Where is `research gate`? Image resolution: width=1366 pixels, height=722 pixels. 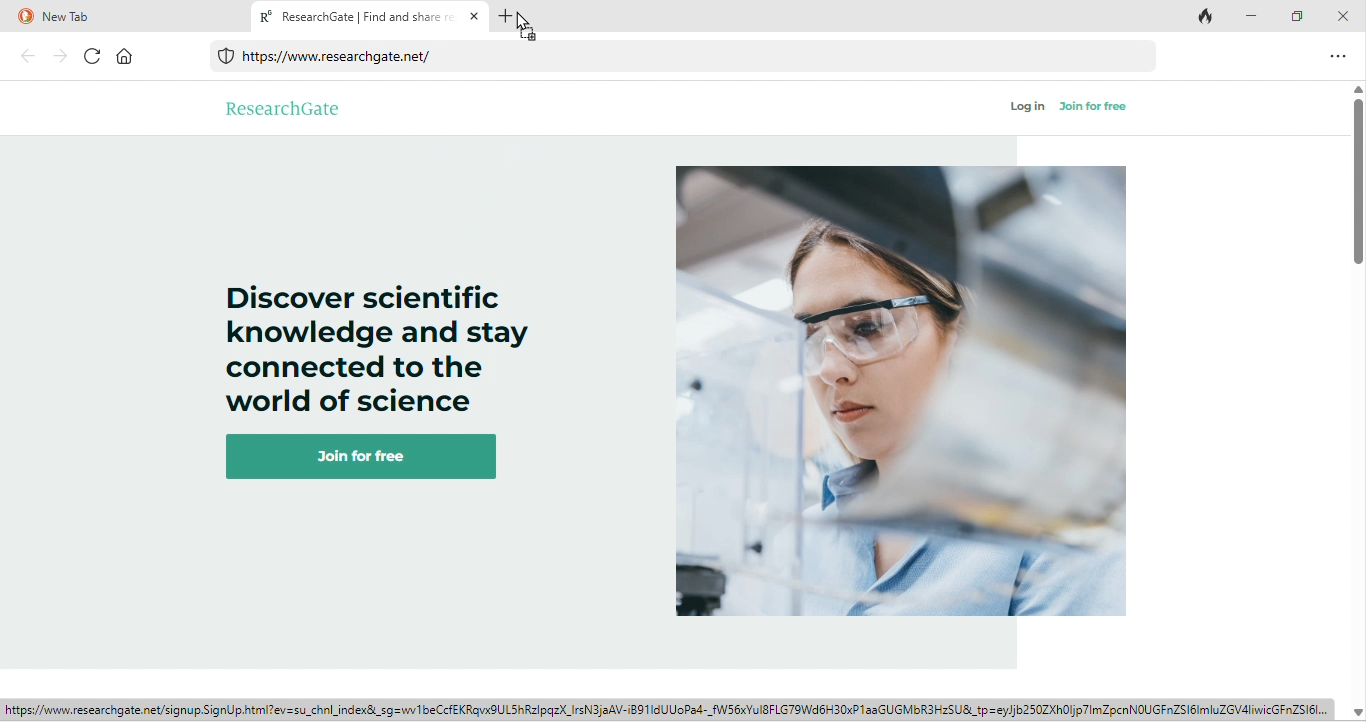 research gate is located at coordinates (284, 107).